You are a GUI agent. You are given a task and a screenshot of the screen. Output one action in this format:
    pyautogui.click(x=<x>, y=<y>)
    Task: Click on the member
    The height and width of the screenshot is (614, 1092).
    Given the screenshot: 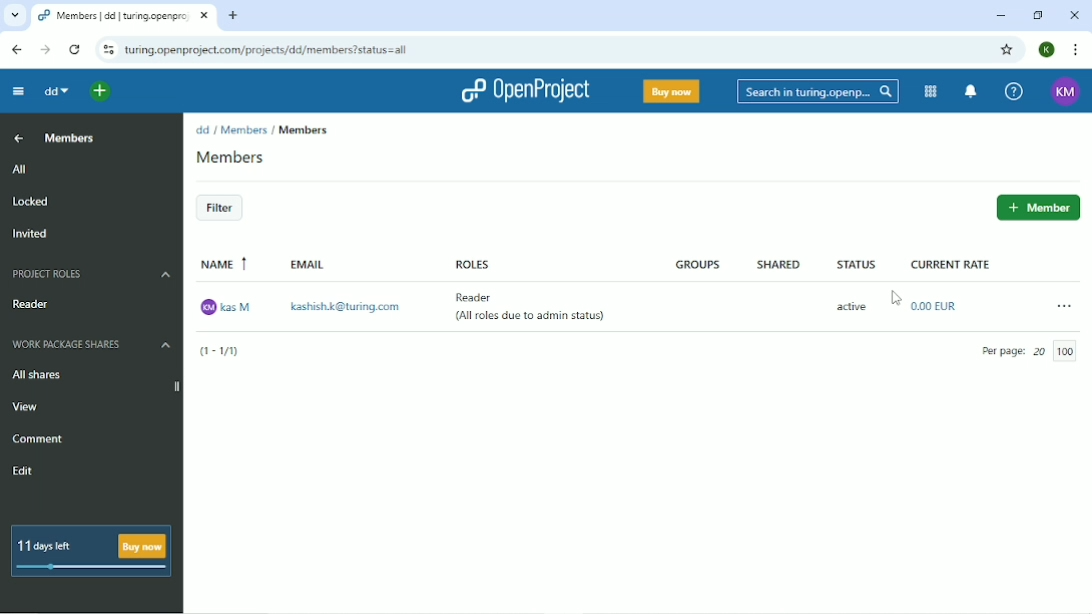 What is the action you would take?
    pyautogui.click(x=249, y=157)
    